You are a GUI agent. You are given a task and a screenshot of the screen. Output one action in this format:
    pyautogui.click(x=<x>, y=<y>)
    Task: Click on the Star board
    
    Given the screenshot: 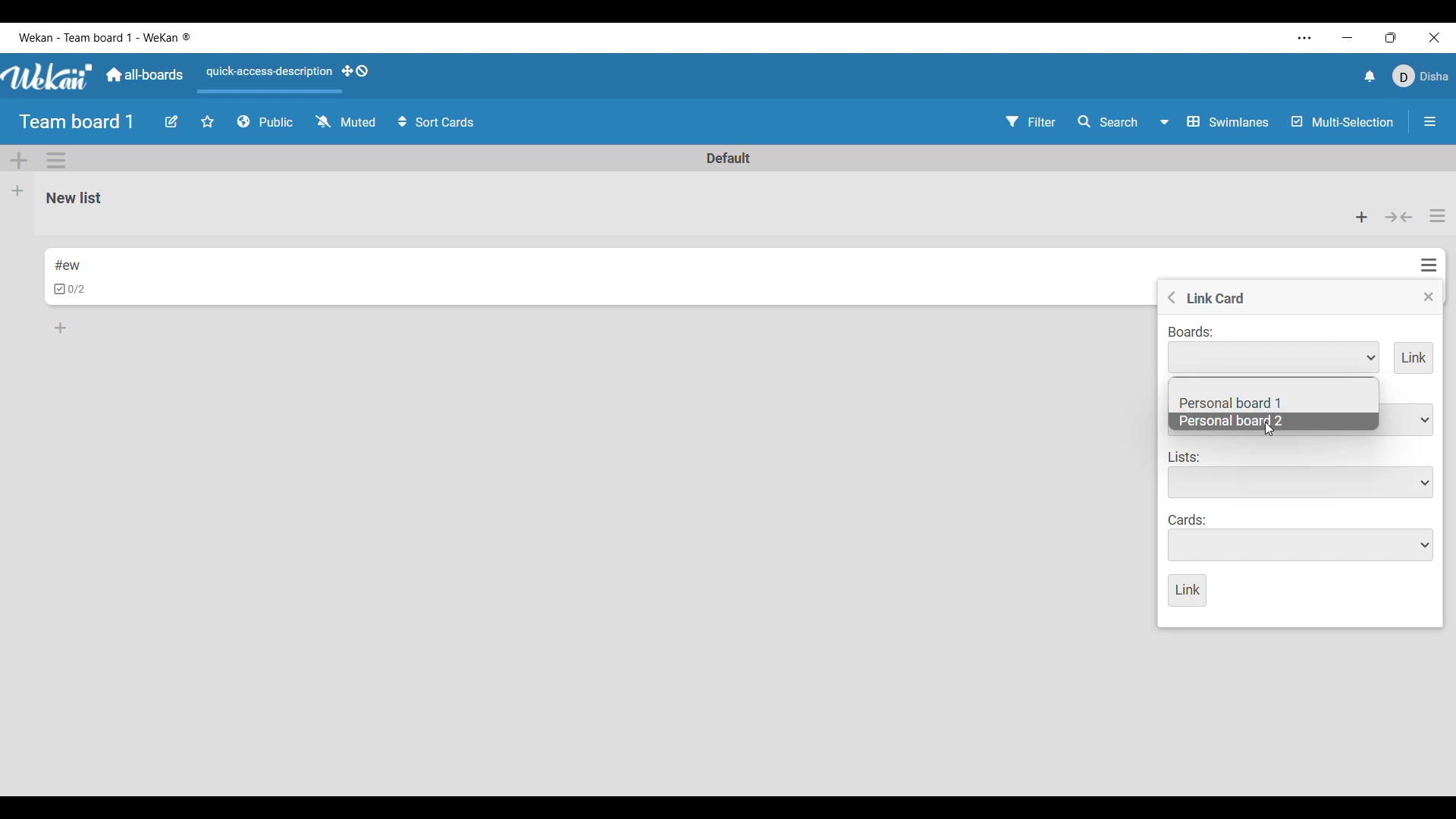 What is the action you would take?
    pyautogui.click(x=208, y=121)
    